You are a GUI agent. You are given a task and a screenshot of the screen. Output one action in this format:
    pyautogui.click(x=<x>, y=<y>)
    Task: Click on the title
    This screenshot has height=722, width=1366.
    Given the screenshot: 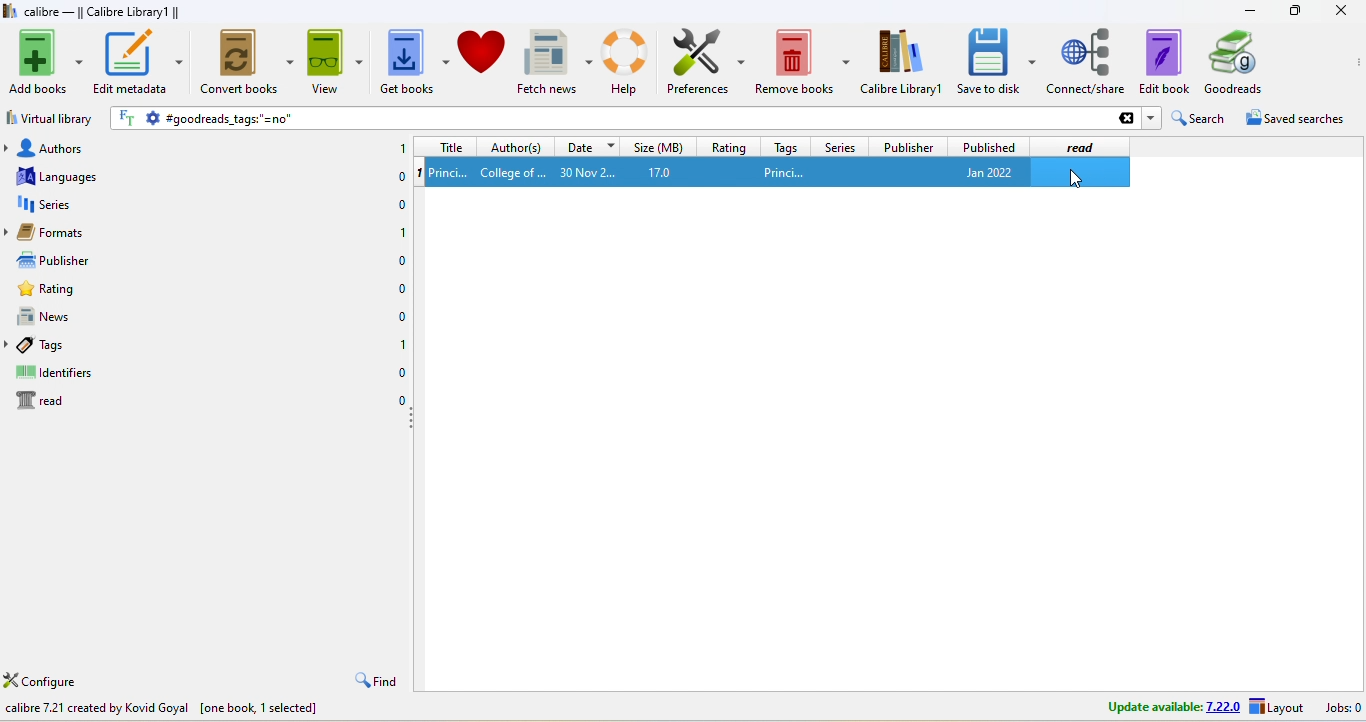 What is the action you would take?
    pyautogui.click(x=444, y=147)
    